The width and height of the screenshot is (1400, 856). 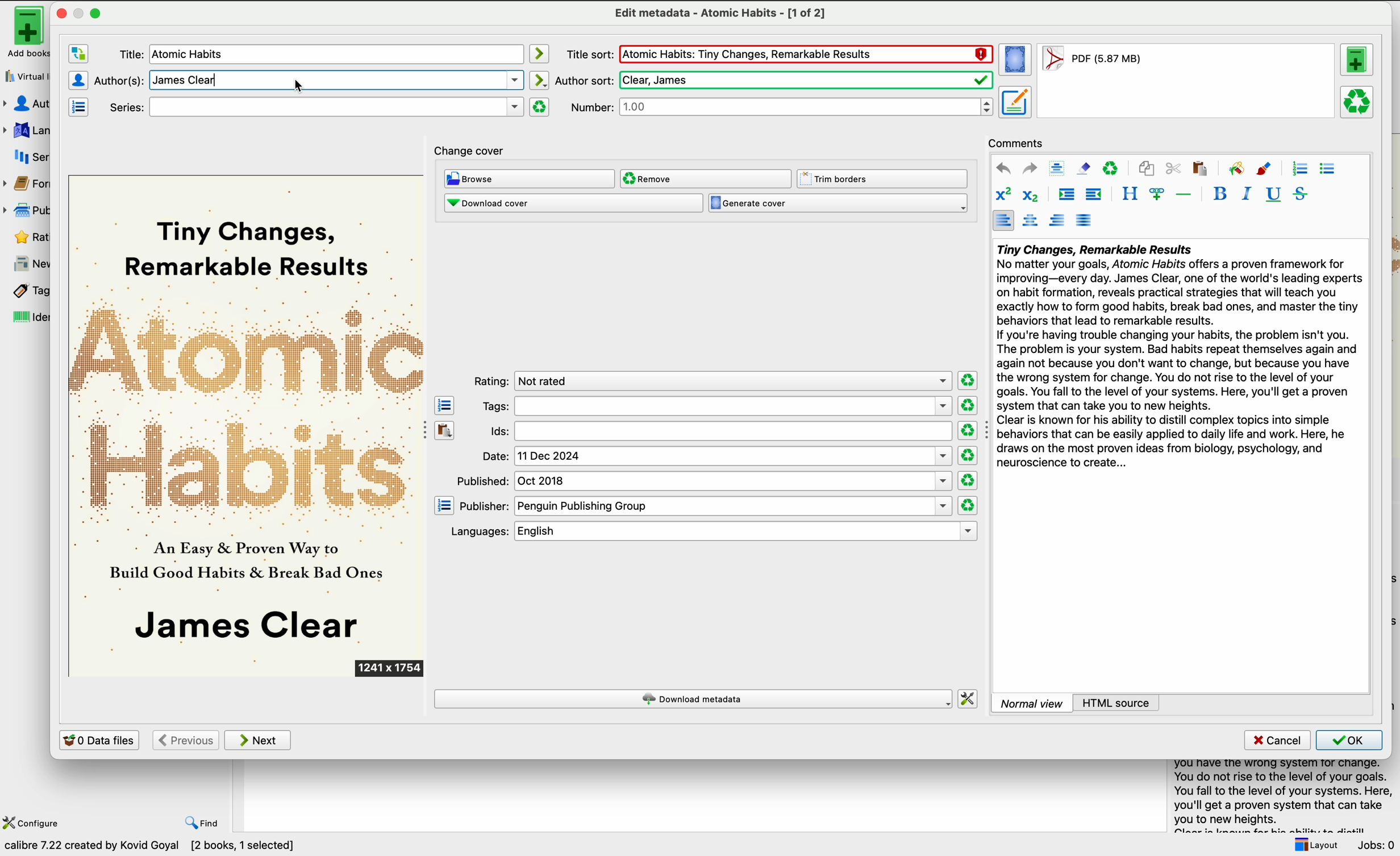 What do you see at coordinates (1016, 142) in the screenshot?
I see `comments` at bounding box center [1016, 142].